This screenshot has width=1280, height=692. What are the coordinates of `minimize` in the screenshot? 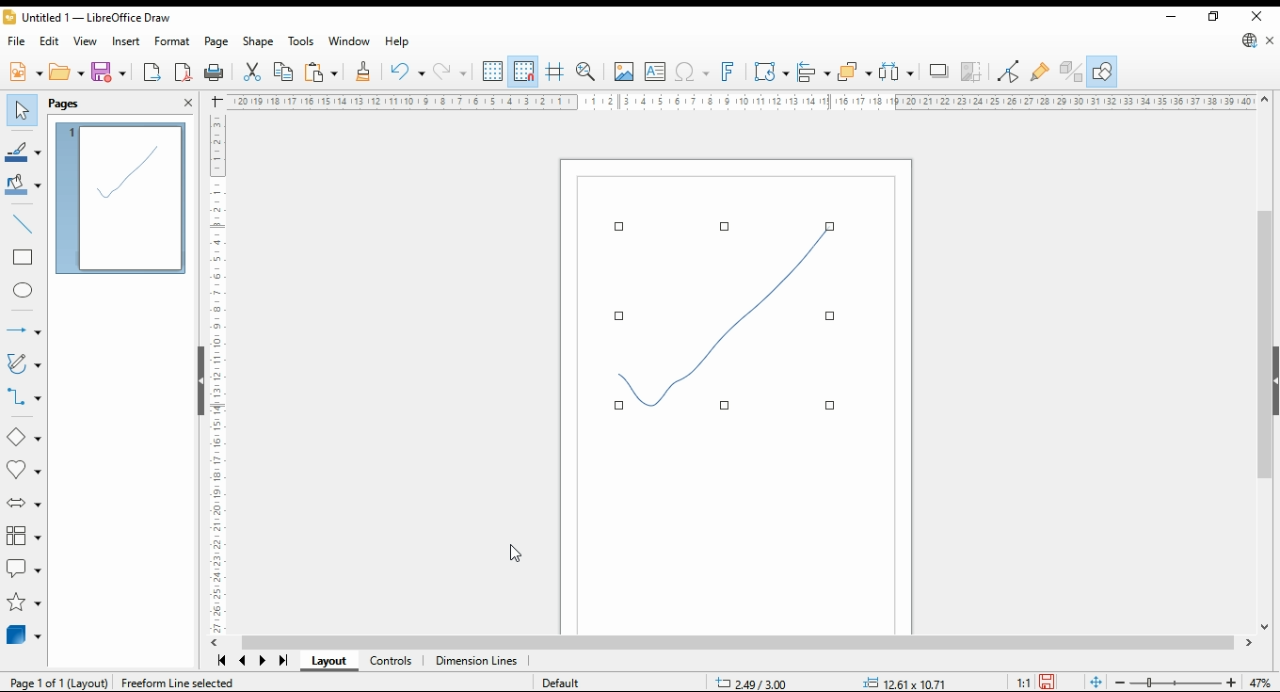 It's located at (1170, 14).